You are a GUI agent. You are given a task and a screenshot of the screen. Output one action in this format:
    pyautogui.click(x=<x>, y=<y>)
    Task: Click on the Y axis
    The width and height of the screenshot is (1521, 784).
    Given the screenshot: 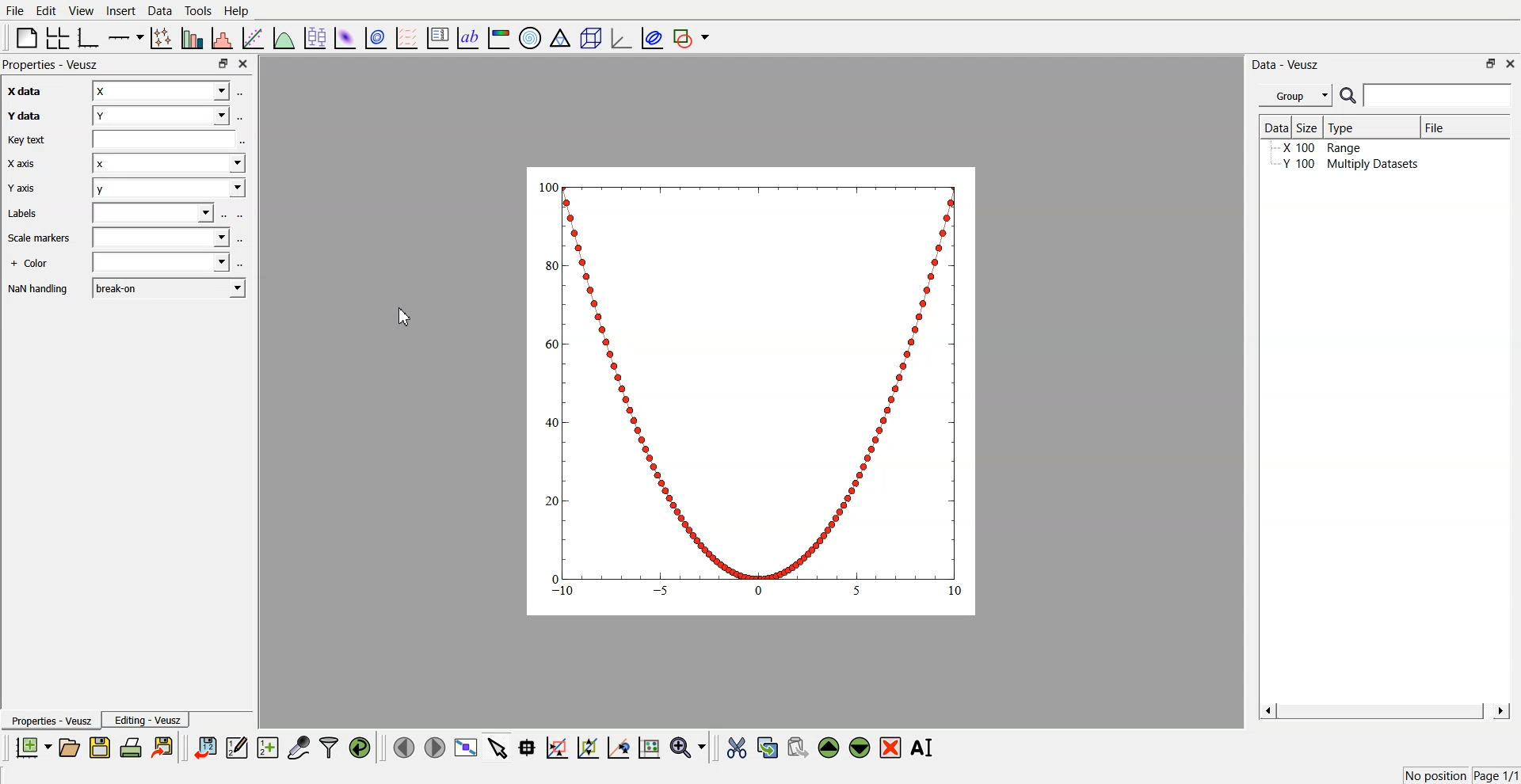 What is the action you would take?
    pyautogui.click(x=28, y=189)
    